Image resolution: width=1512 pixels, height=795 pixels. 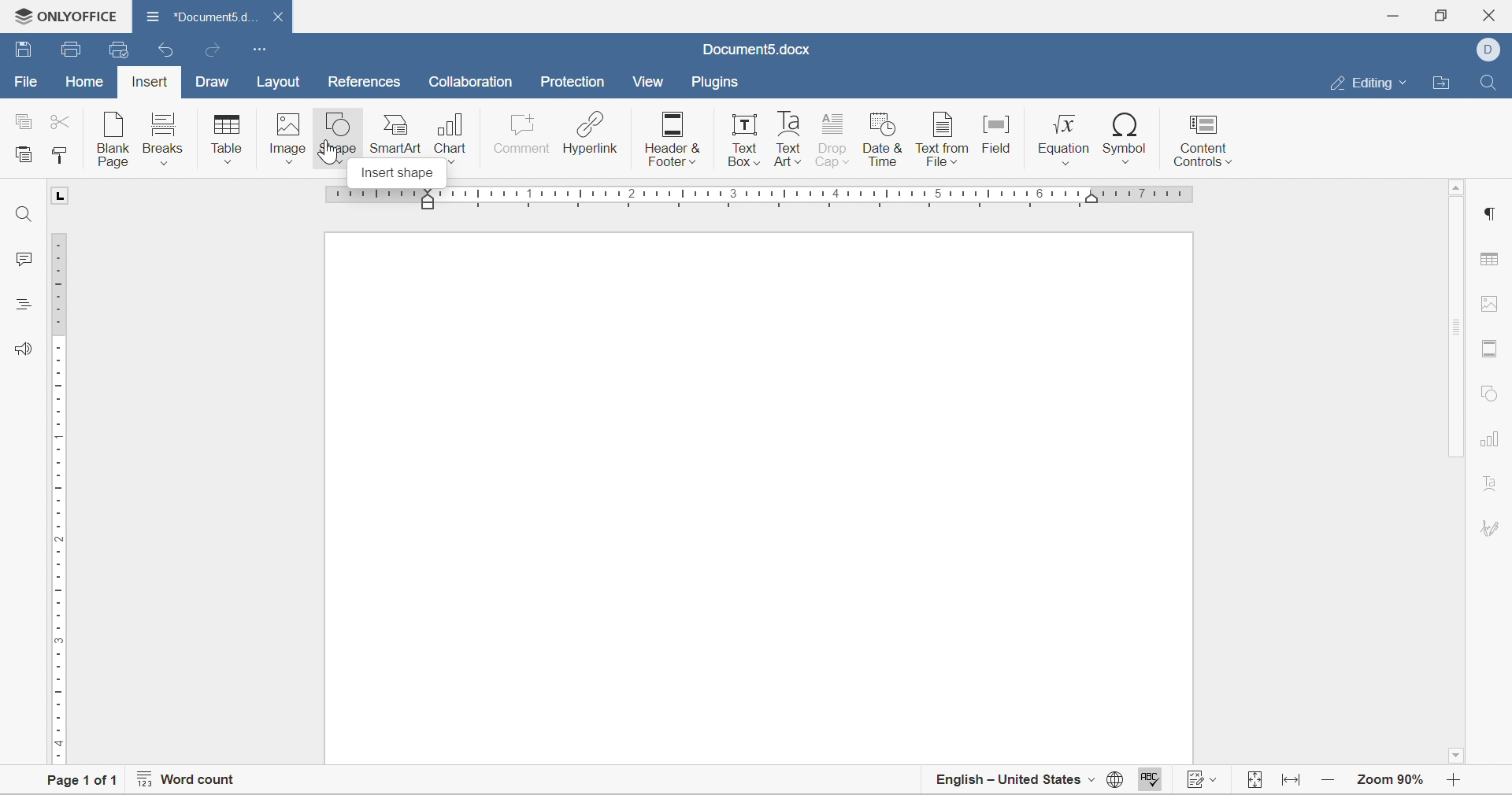 I want to click on save, so click(x=72, y=49).